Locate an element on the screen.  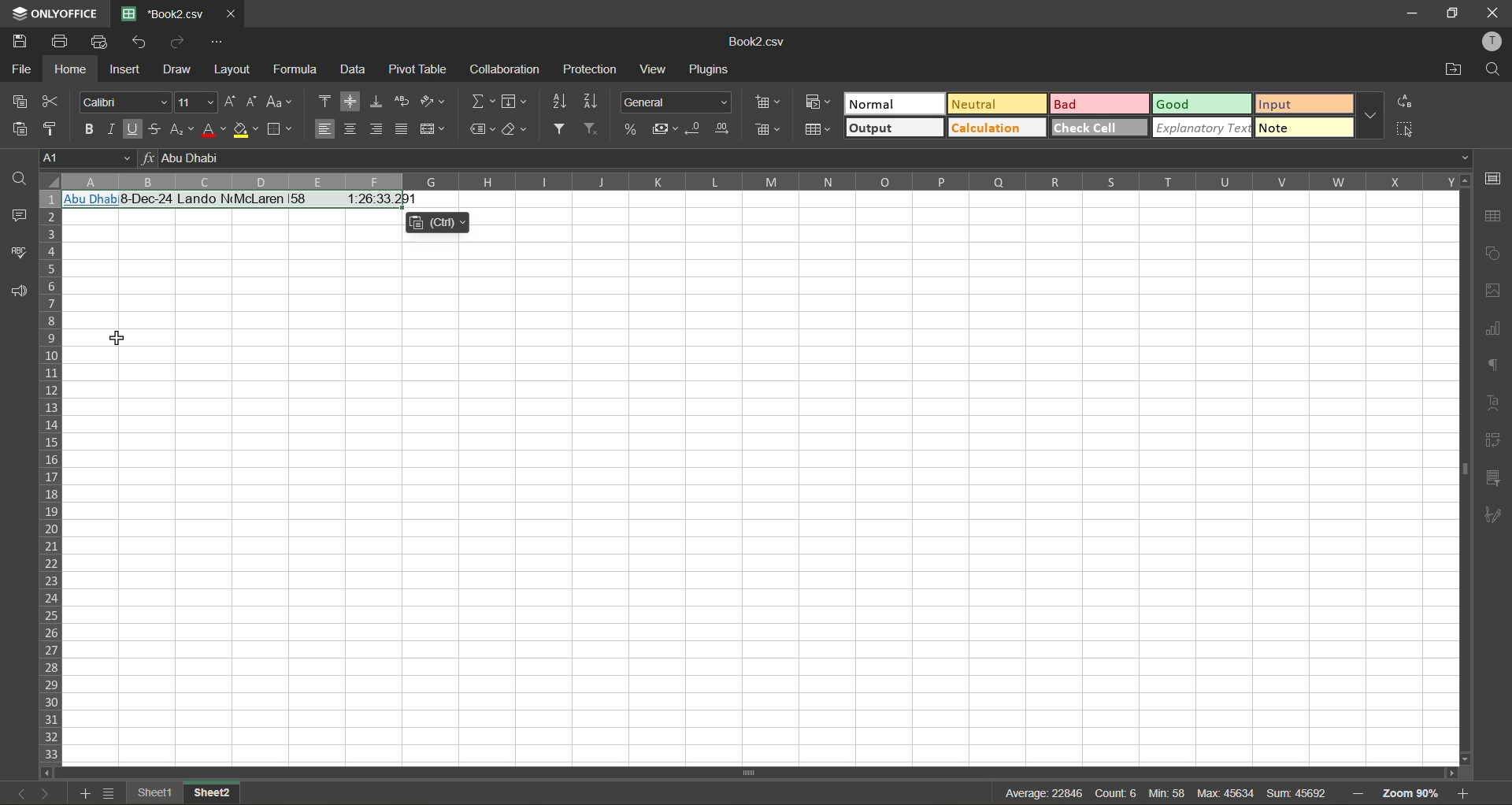
zoom in is located at coordinates (1466, 794).